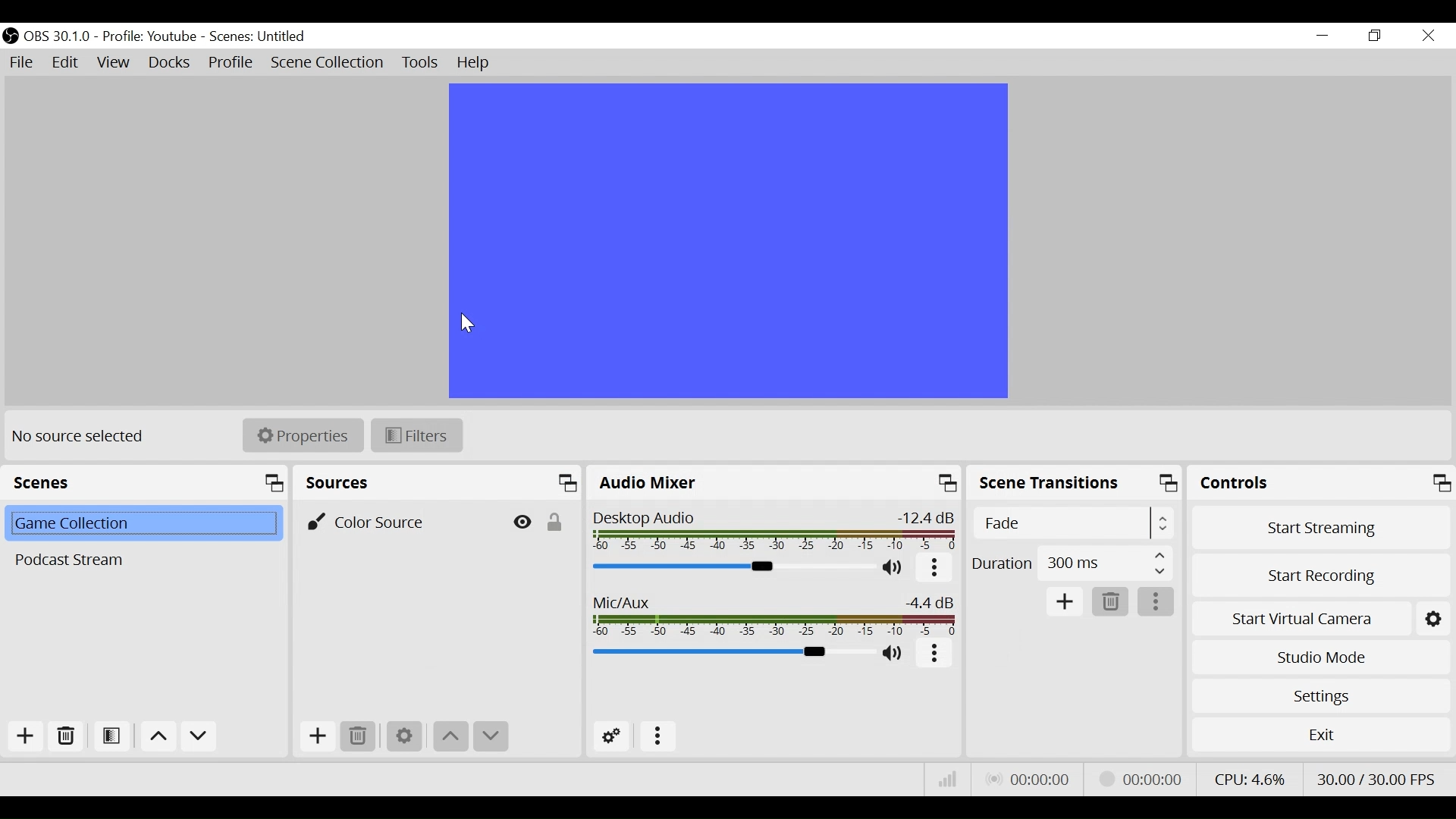 The image size is (1456, 819). I want to click on Filters, so click(416, 435).